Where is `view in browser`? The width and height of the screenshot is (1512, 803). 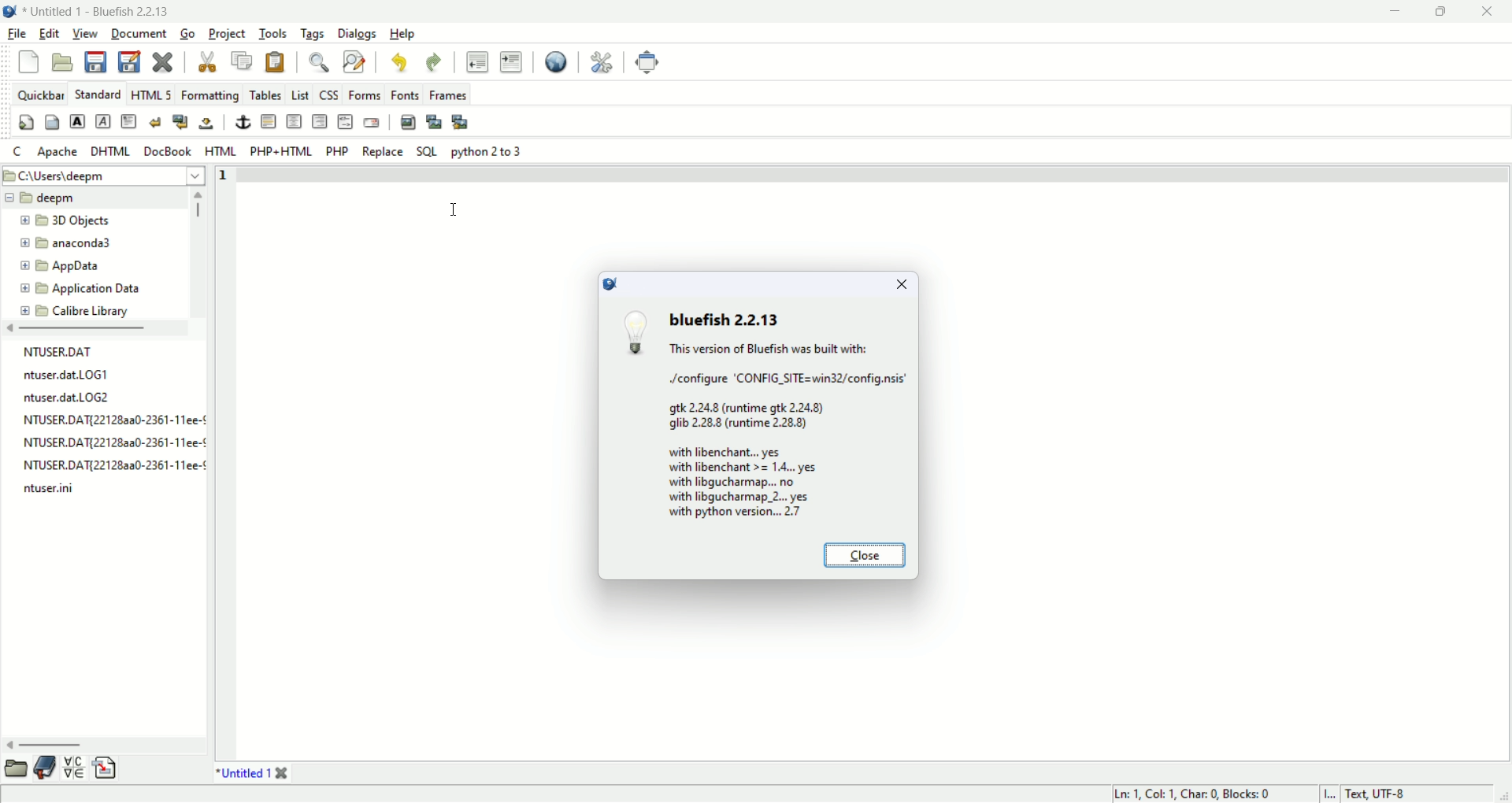 view in browser is located at coordinates (554, 60).